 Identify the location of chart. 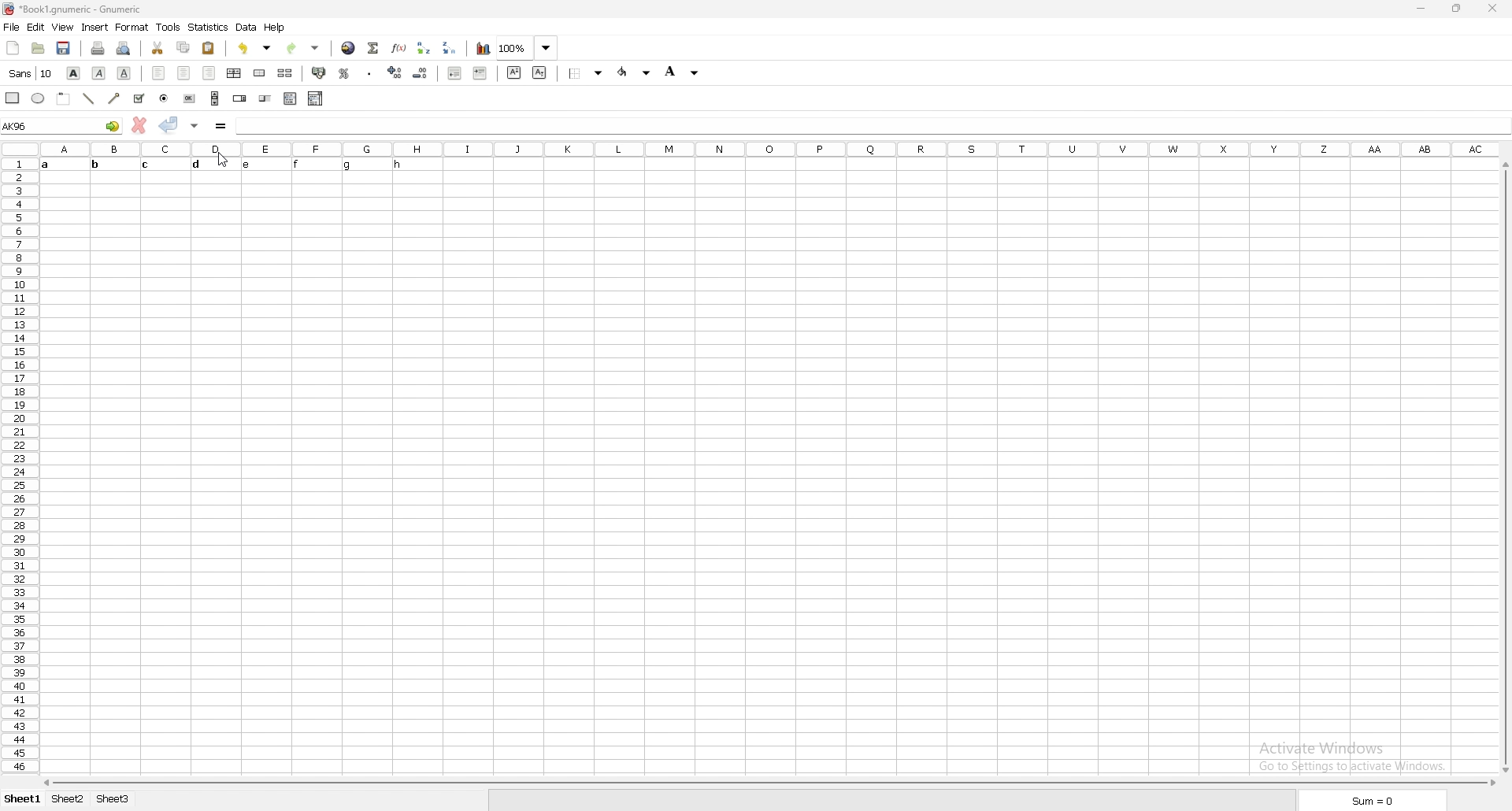
(483, 48).